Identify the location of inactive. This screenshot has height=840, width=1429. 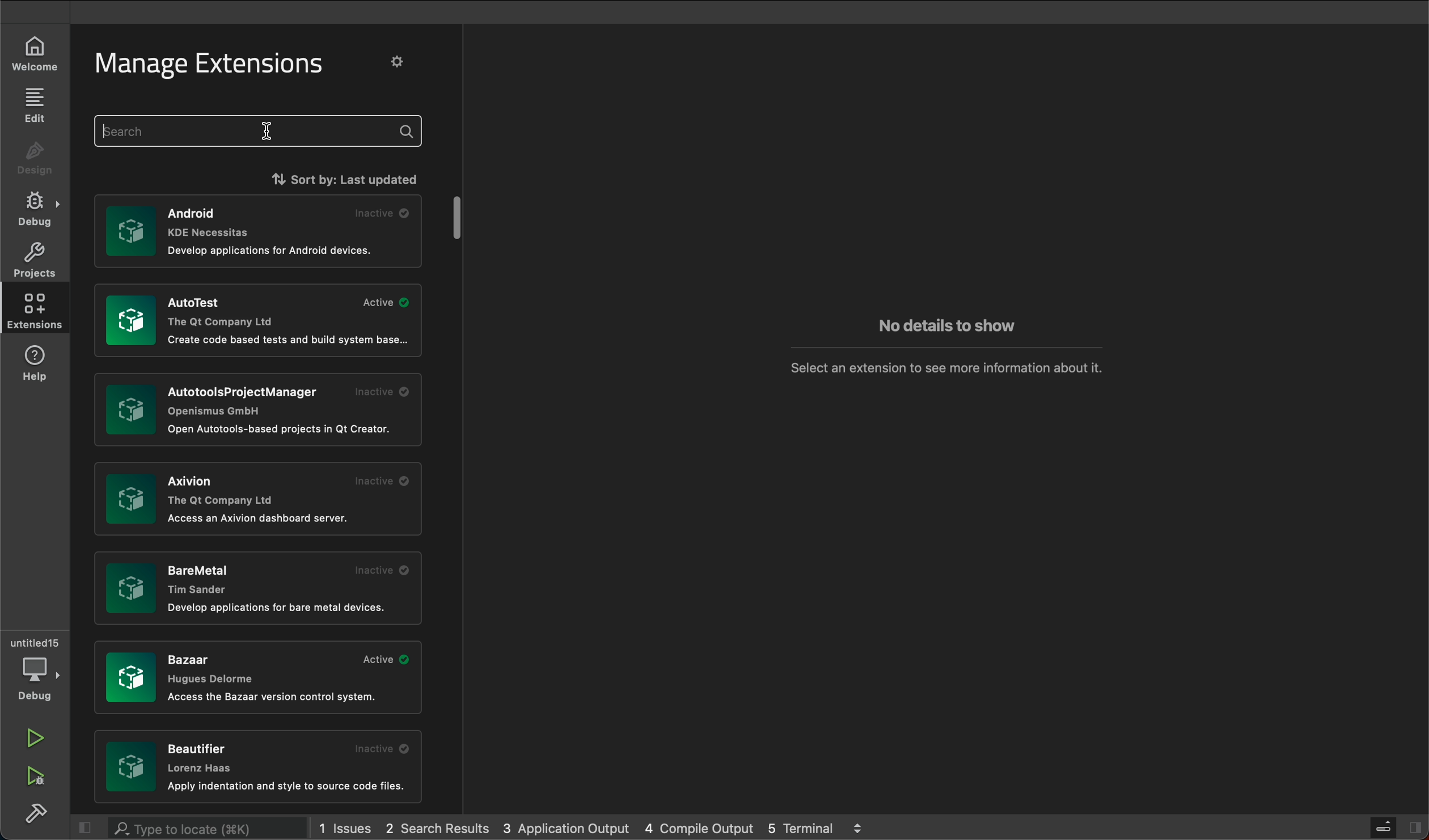
(380, 570).